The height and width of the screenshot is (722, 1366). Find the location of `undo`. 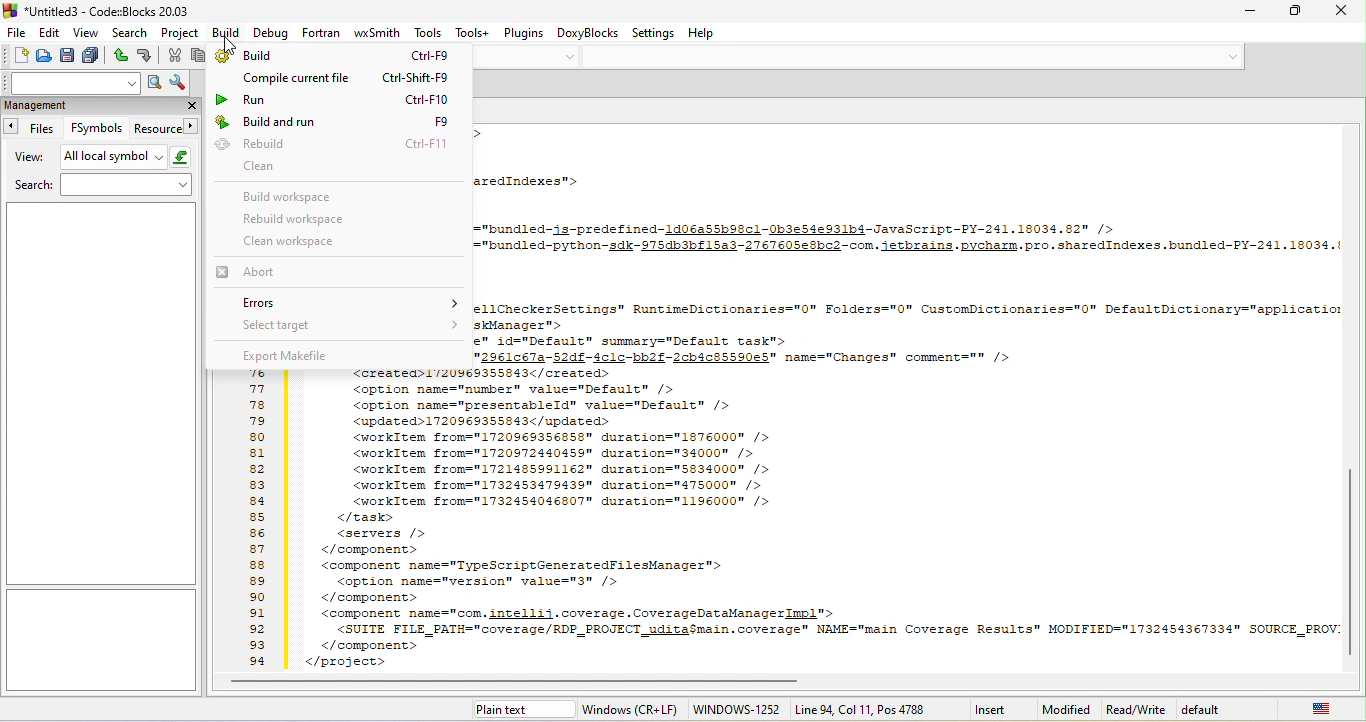

undo is located at coordinates (122, 54).